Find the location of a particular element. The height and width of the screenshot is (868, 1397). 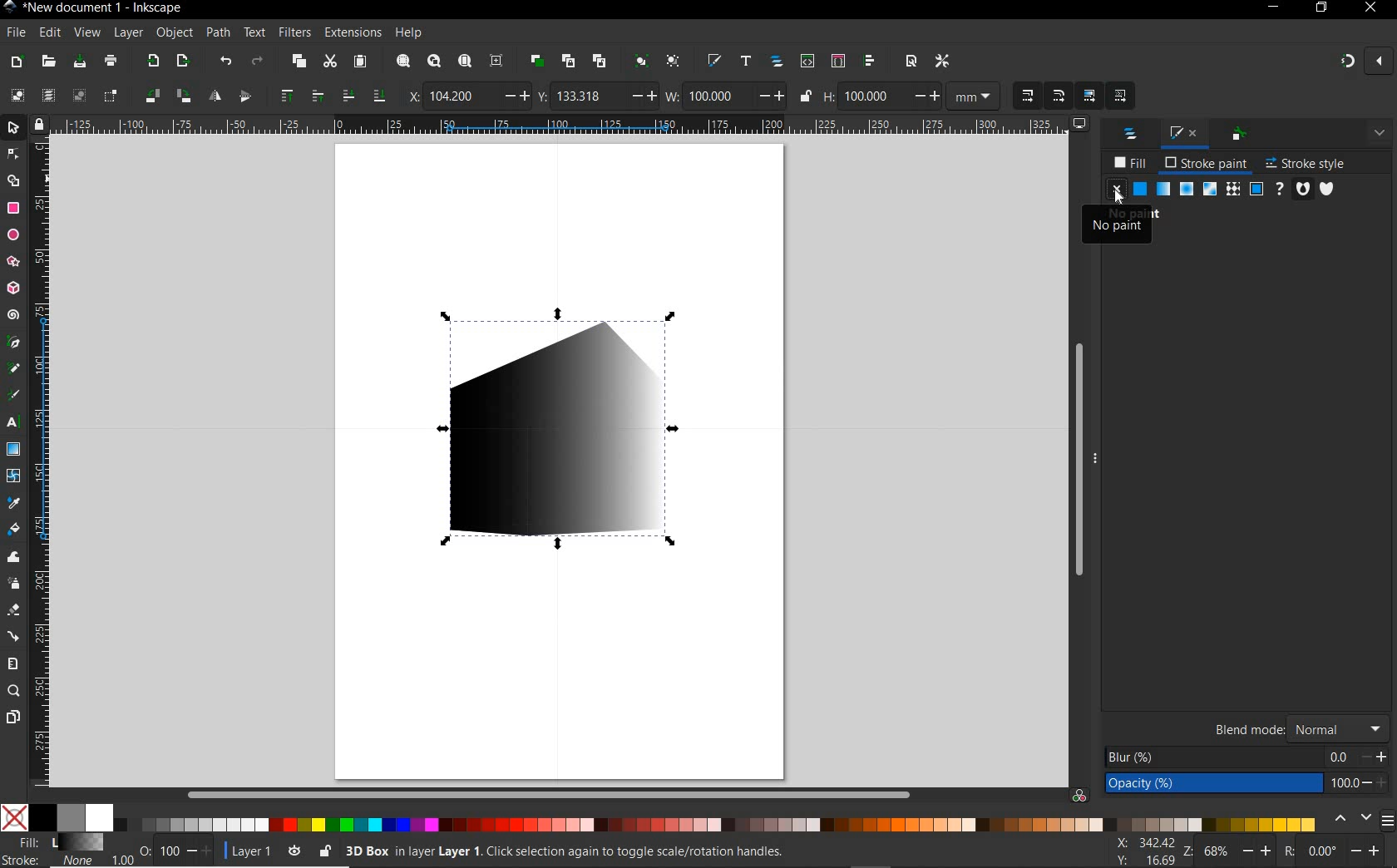

ROTATION is located at coordinates (1287, 851).